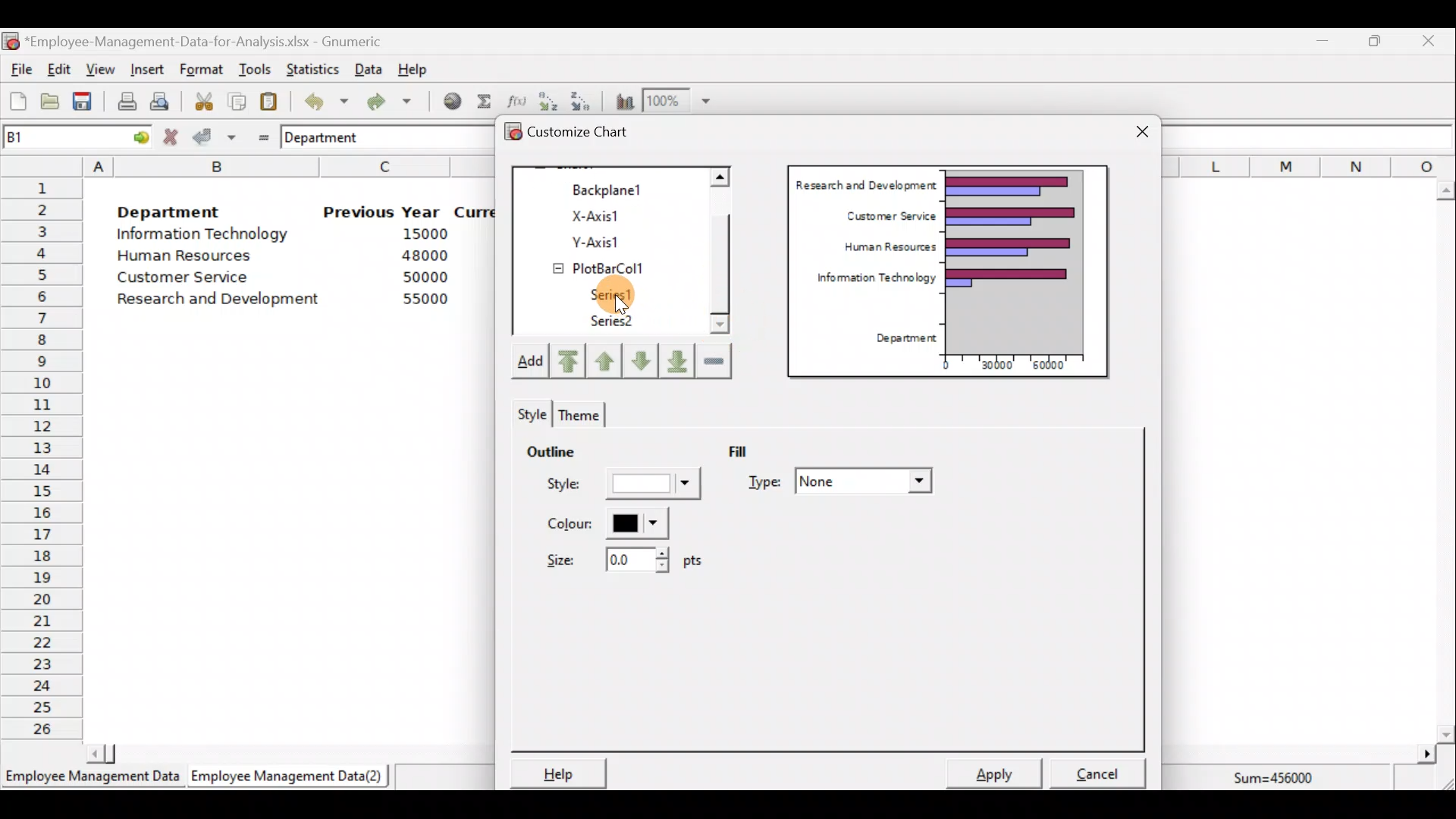 This screenshot has height=819, width=1456. What do you see at coordinates (621, 101) in the screenshot?
I see `Insert a chart` at bounding box center [621, 101].